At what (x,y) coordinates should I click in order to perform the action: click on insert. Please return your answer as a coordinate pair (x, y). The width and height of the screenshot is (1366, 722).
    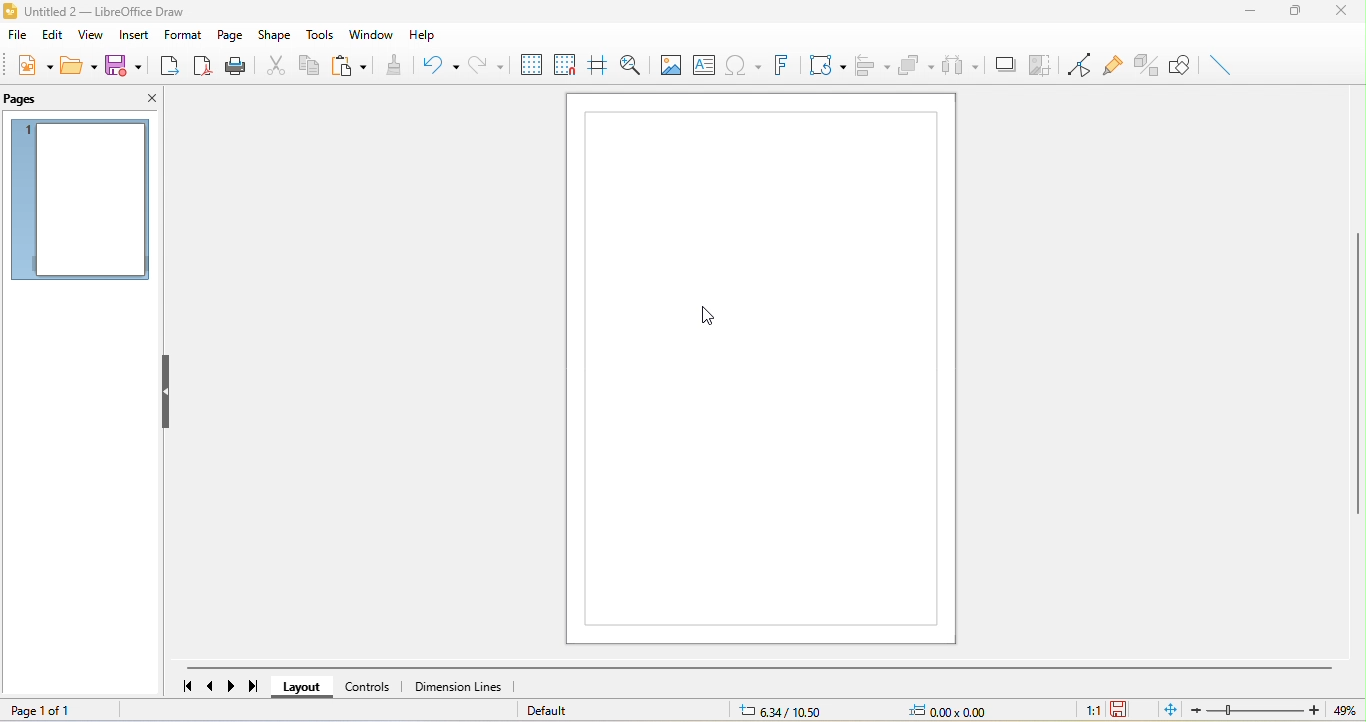
    Looking at the image, I should click on (132, 34).